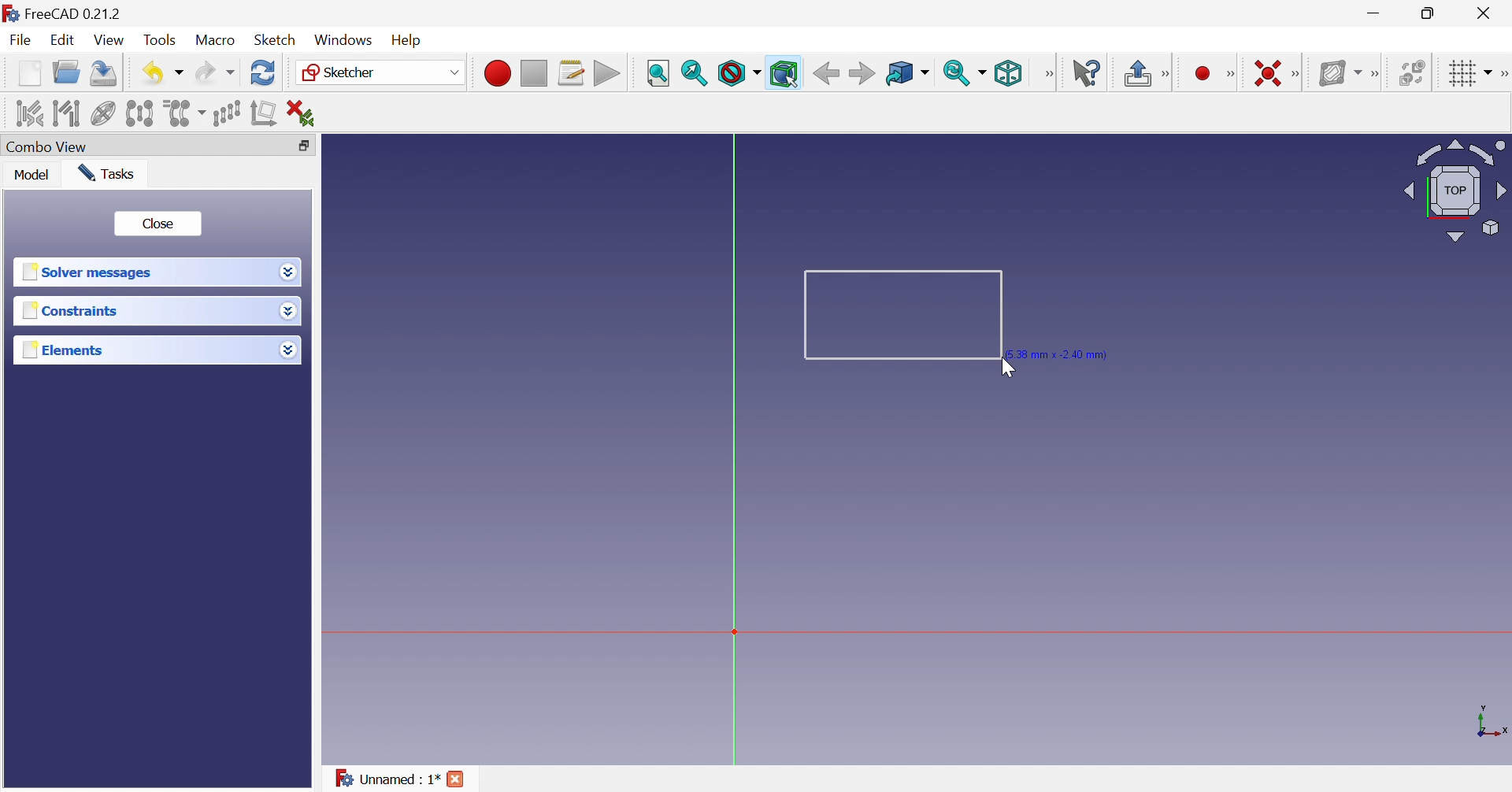 This screenshot has height=792, width=1512. I want to click on Drop down, so click(289, 351).